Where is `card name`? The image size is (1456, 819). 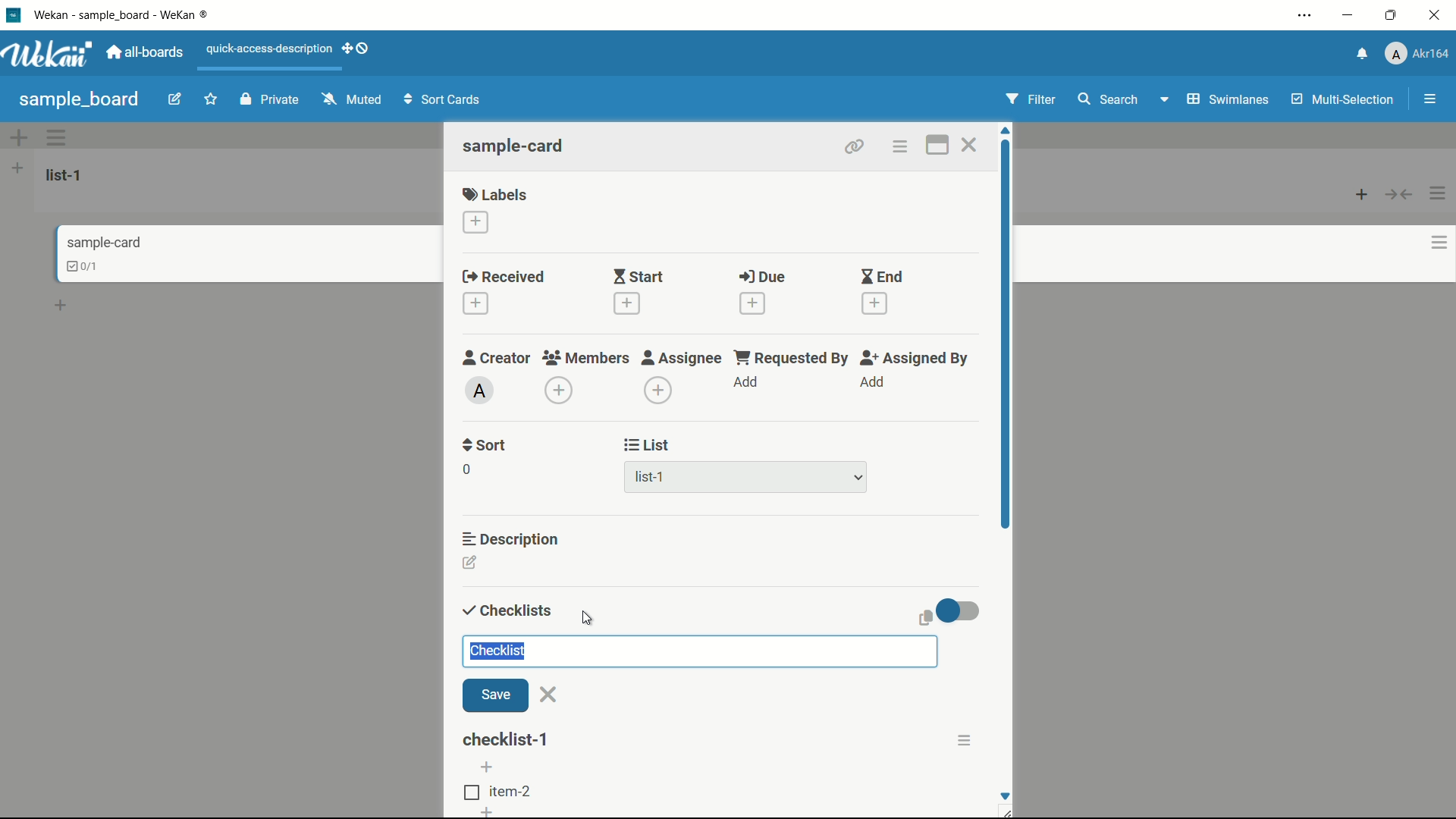 card name is located at coordinates (515, 146).